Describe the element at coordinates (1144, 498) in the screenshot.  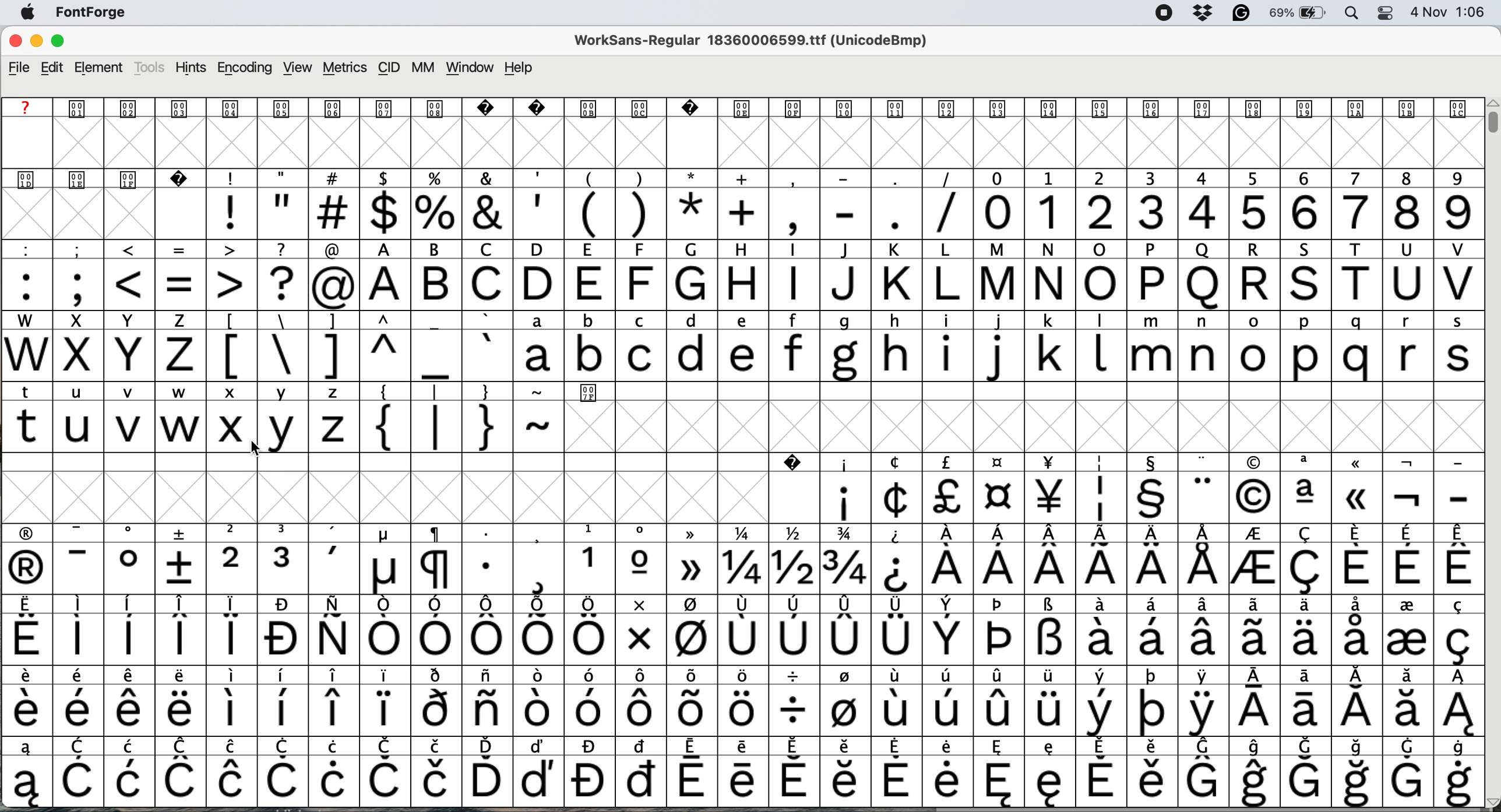
I see `special characters` at that location.